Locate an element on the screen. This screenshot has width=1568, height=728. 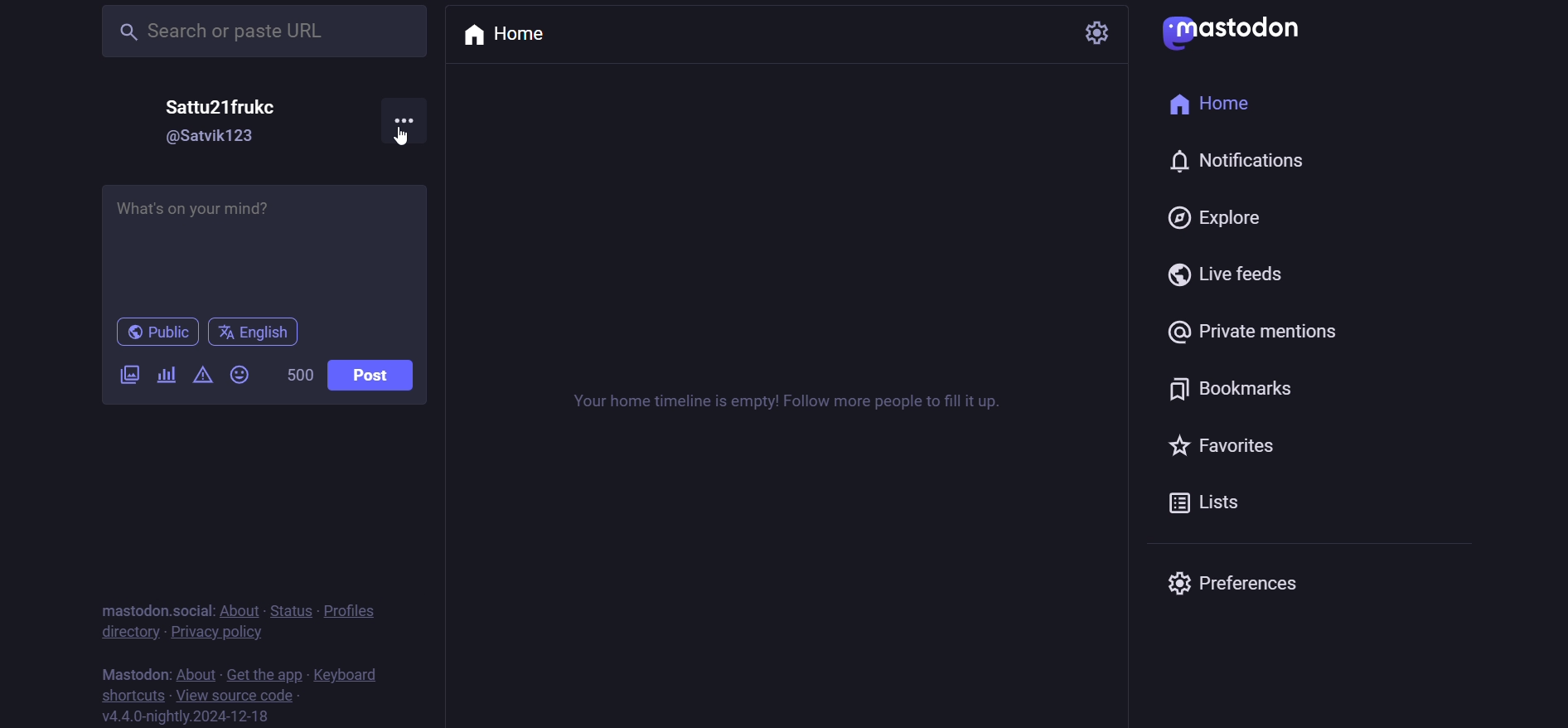
status is located at coordinates (288, 607).